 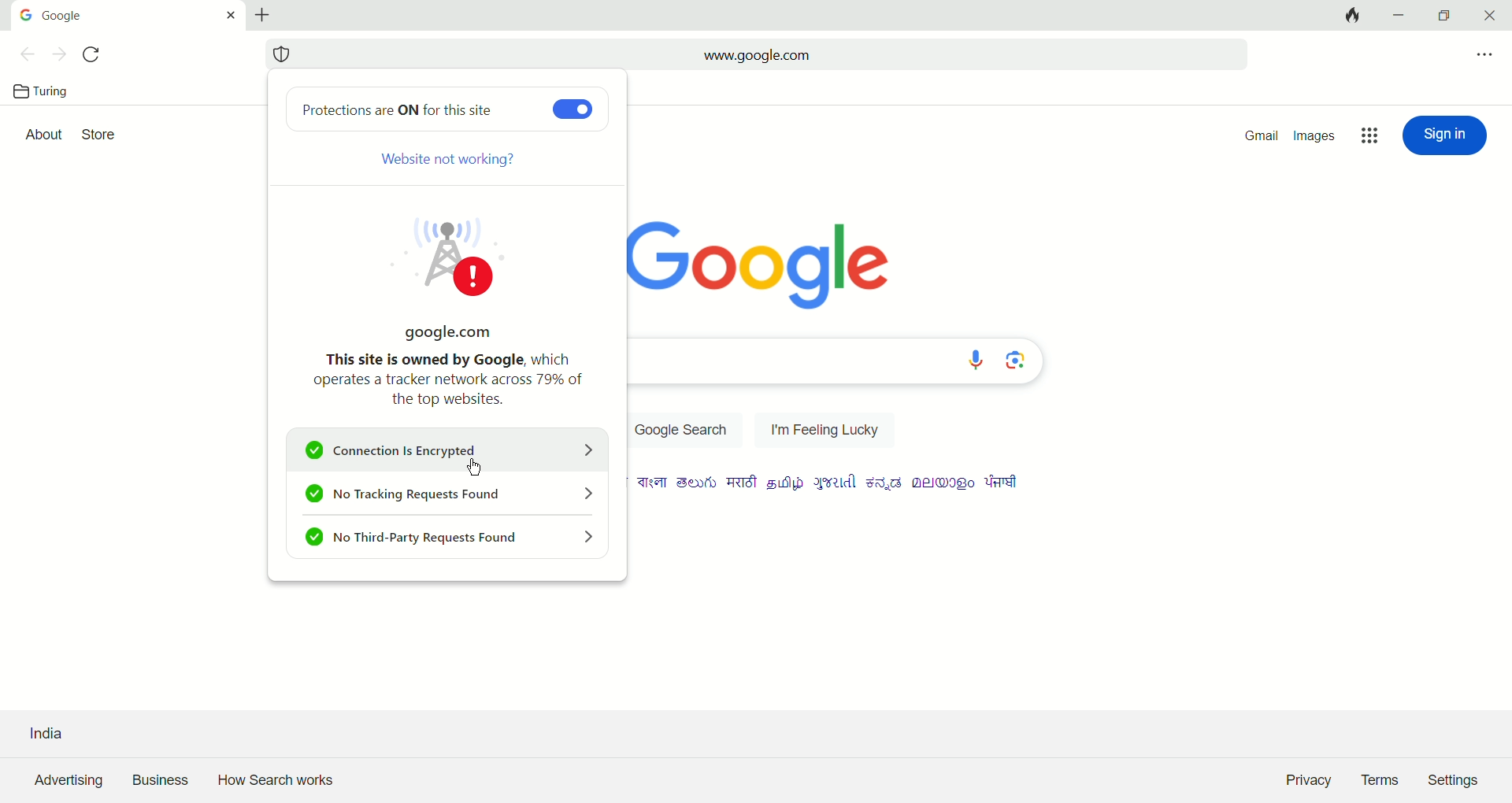 I want to click on security, so click(x=280, y=55).